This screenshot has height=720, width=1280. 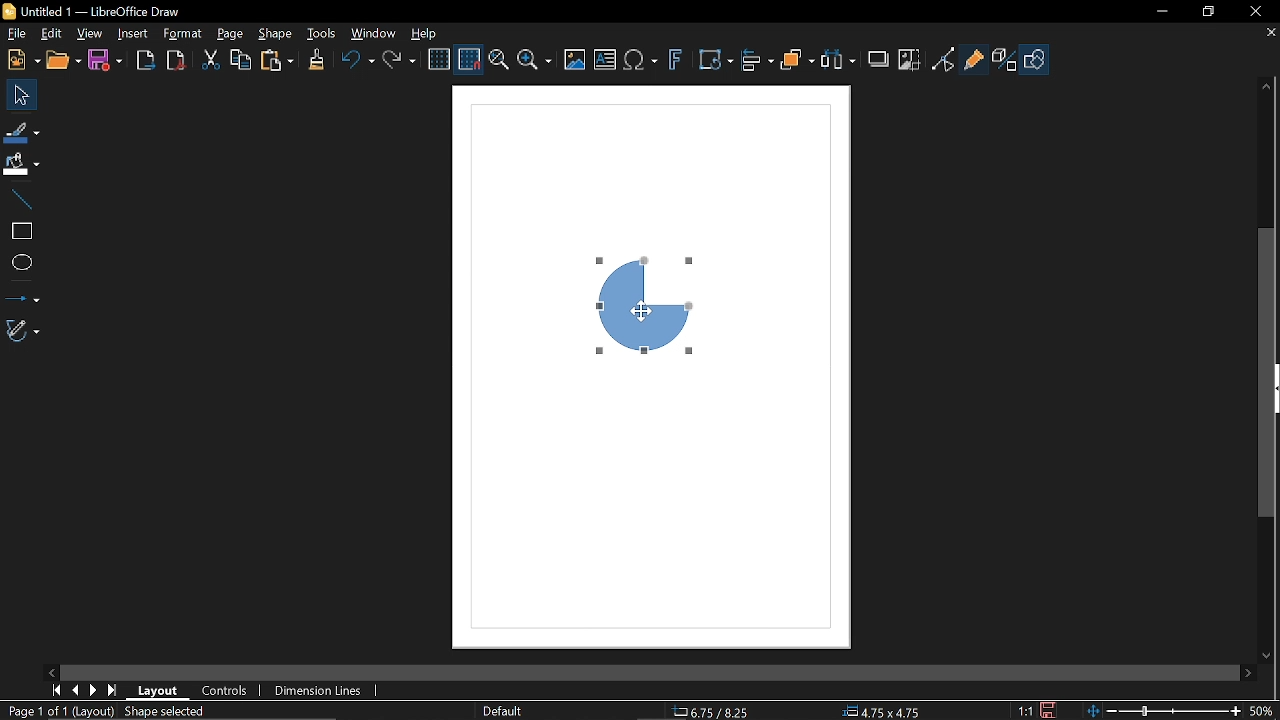 I want to click on Cut, so click(x=212, y=60).